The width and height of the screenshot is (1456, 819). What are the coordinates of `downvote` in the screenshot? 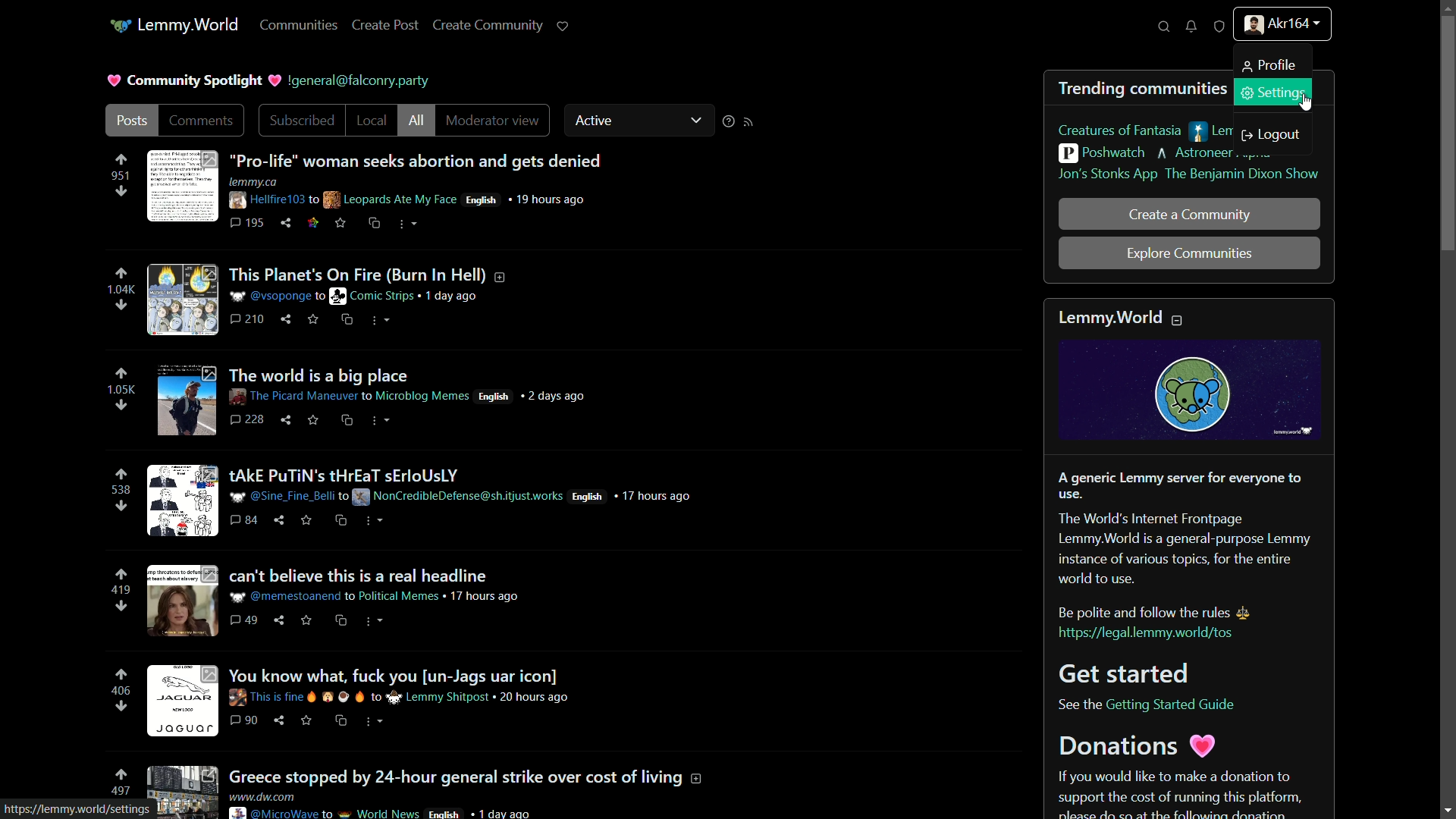 It's located at (121, 191).